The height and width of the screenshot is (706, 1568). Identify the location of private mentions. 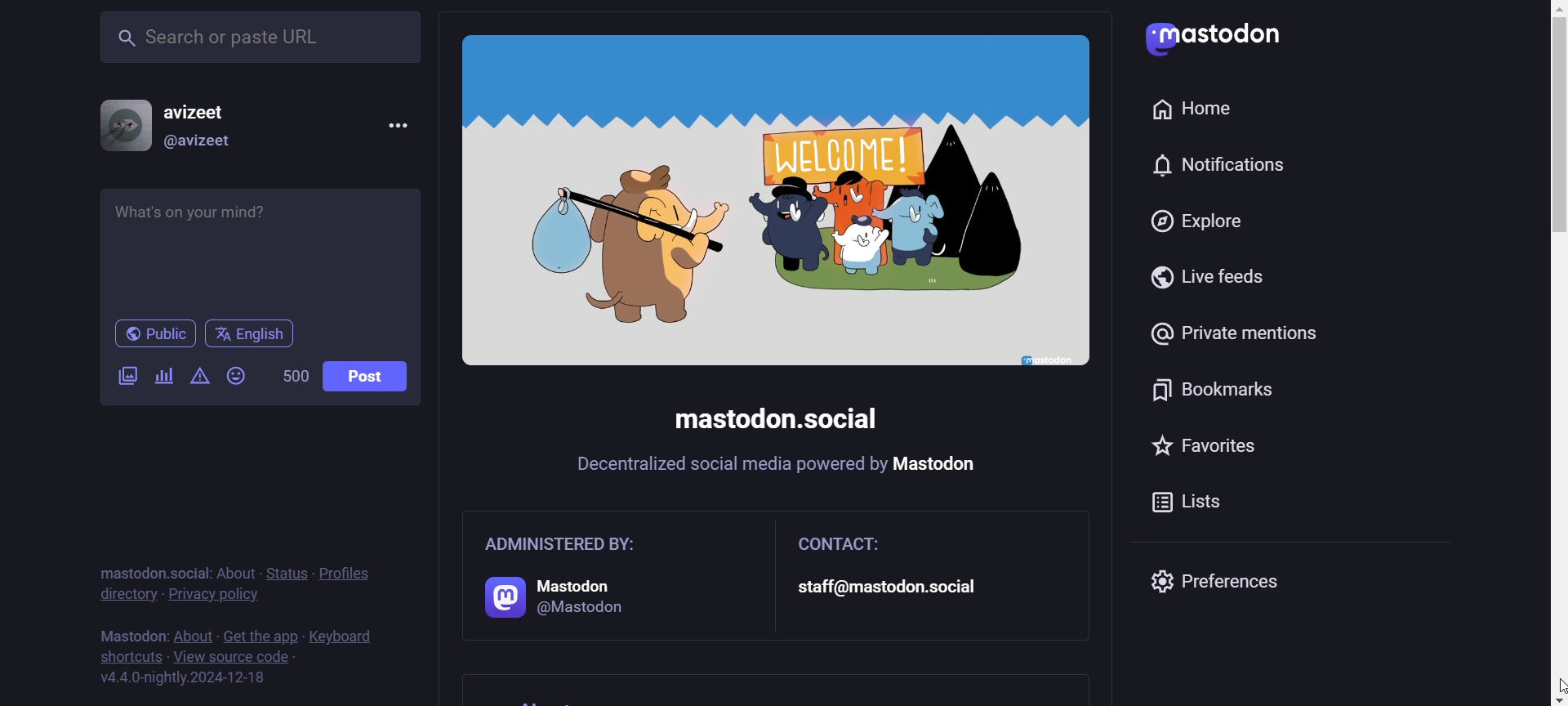
(1232, 336).